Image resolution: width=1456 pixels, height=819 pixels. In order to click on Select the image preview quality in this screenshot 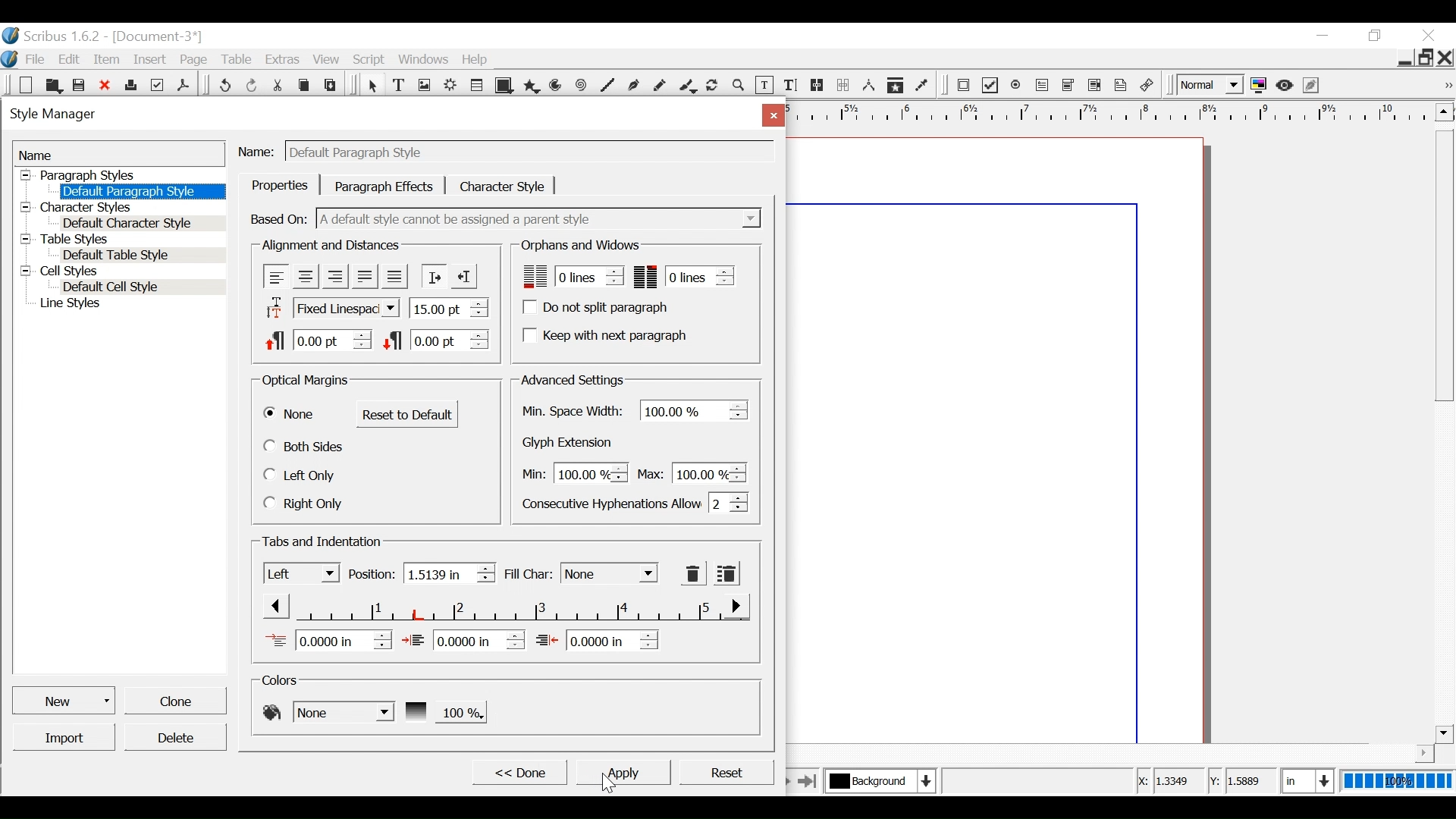, I will do `click(1212, 85)`.